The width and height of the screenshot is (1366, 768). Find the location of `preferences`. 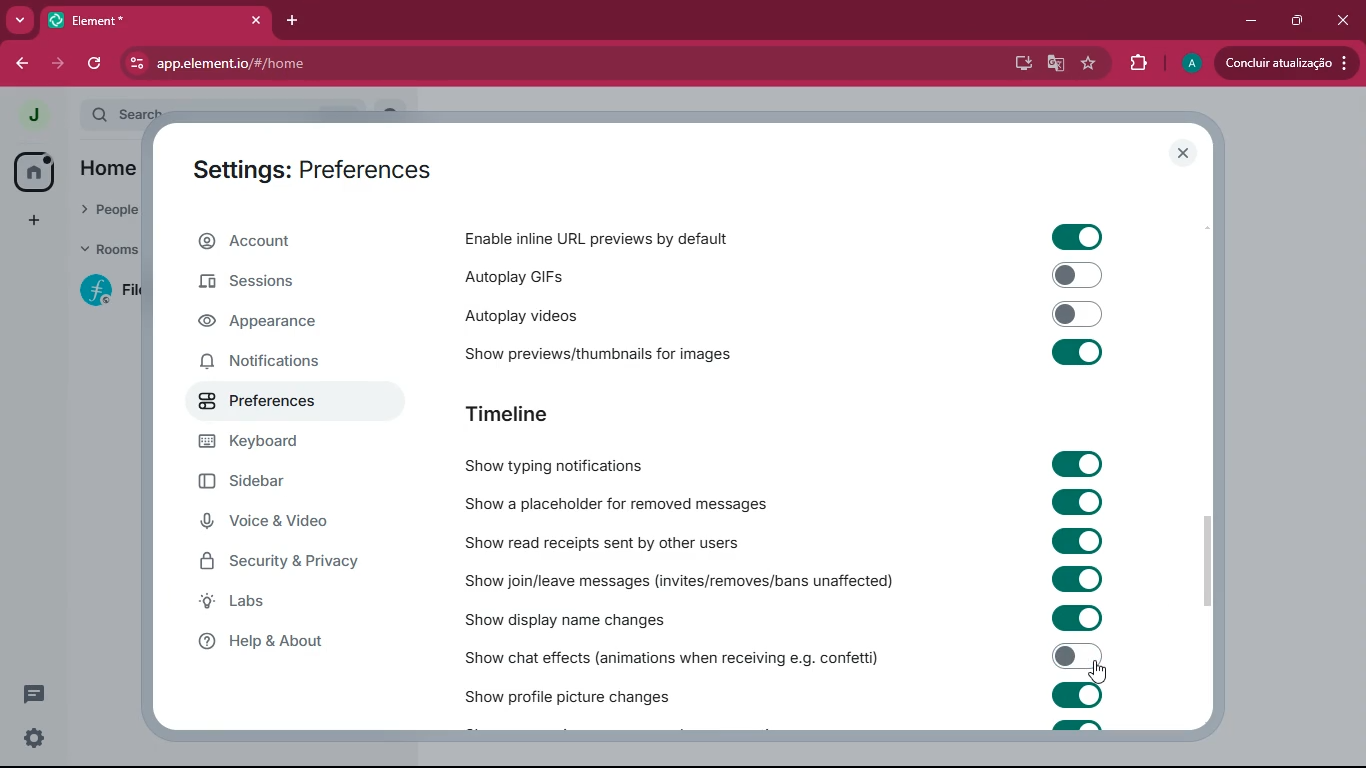

preferences is located at coordinates (266, 399).